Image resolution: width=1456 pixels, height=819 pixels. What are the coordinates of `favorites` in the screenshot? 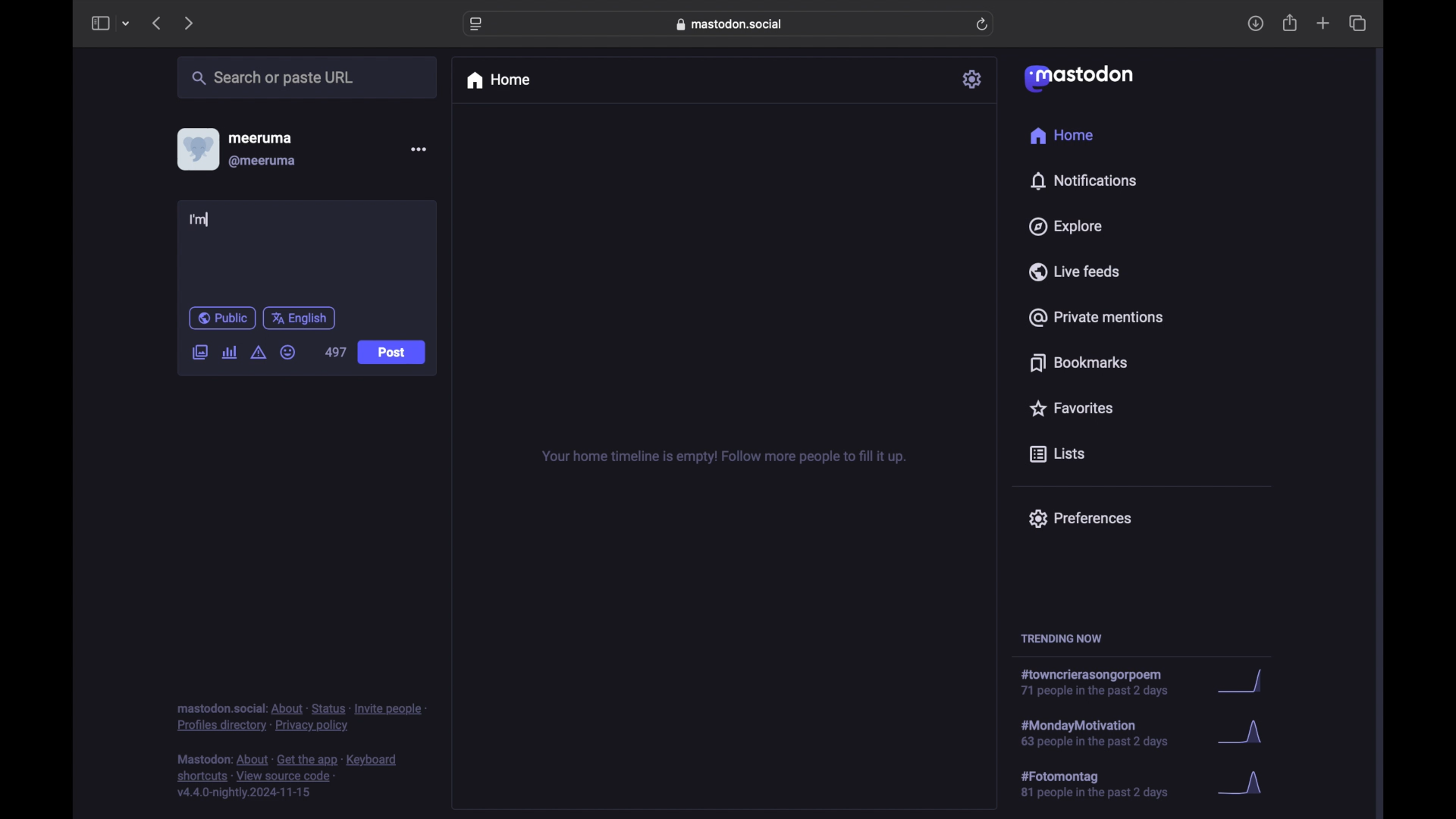 It's located at (1071, 408).